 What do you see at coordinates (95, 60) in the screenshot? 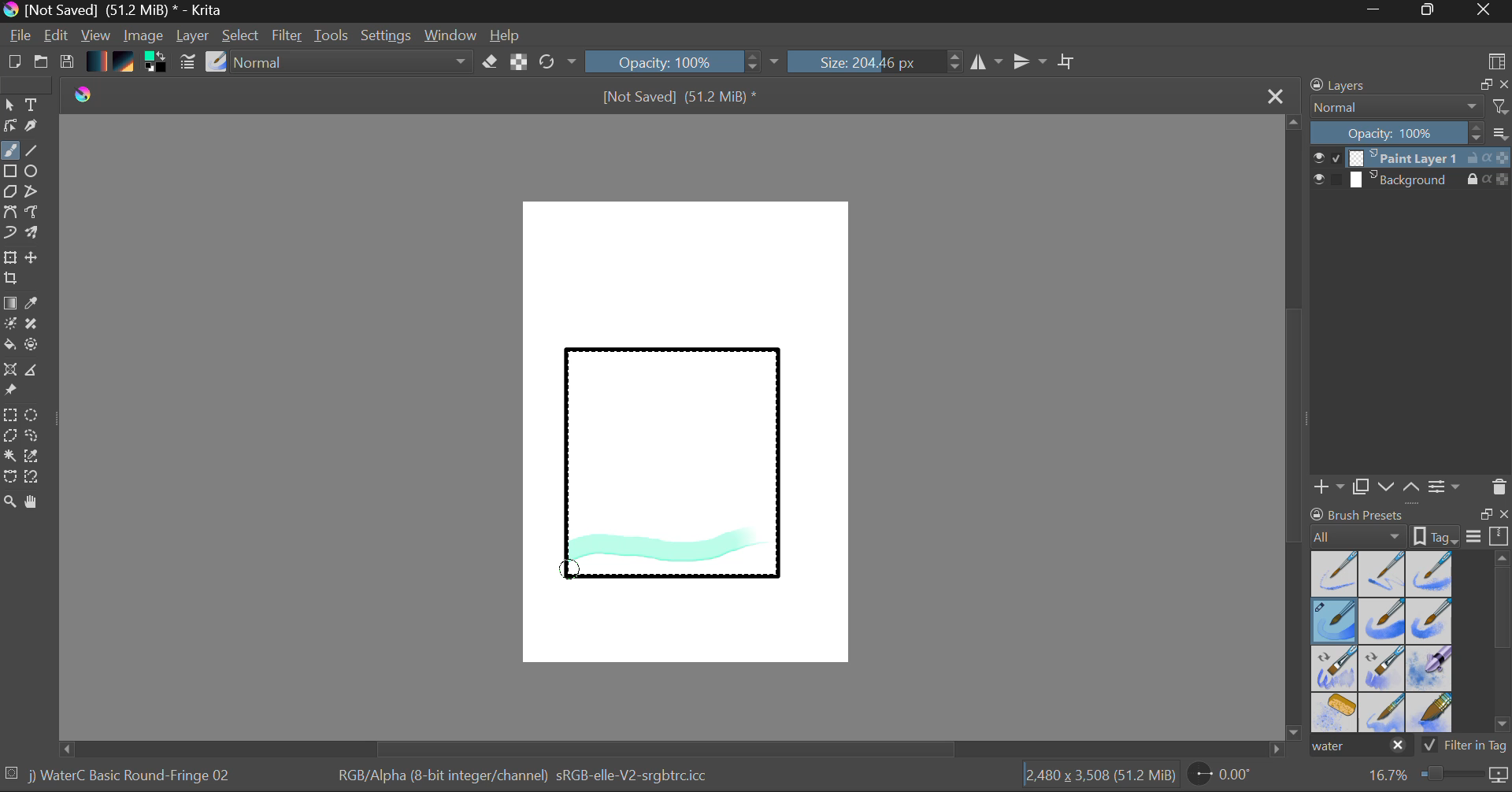
I see `Gradient` at bounding box center [95, 60].